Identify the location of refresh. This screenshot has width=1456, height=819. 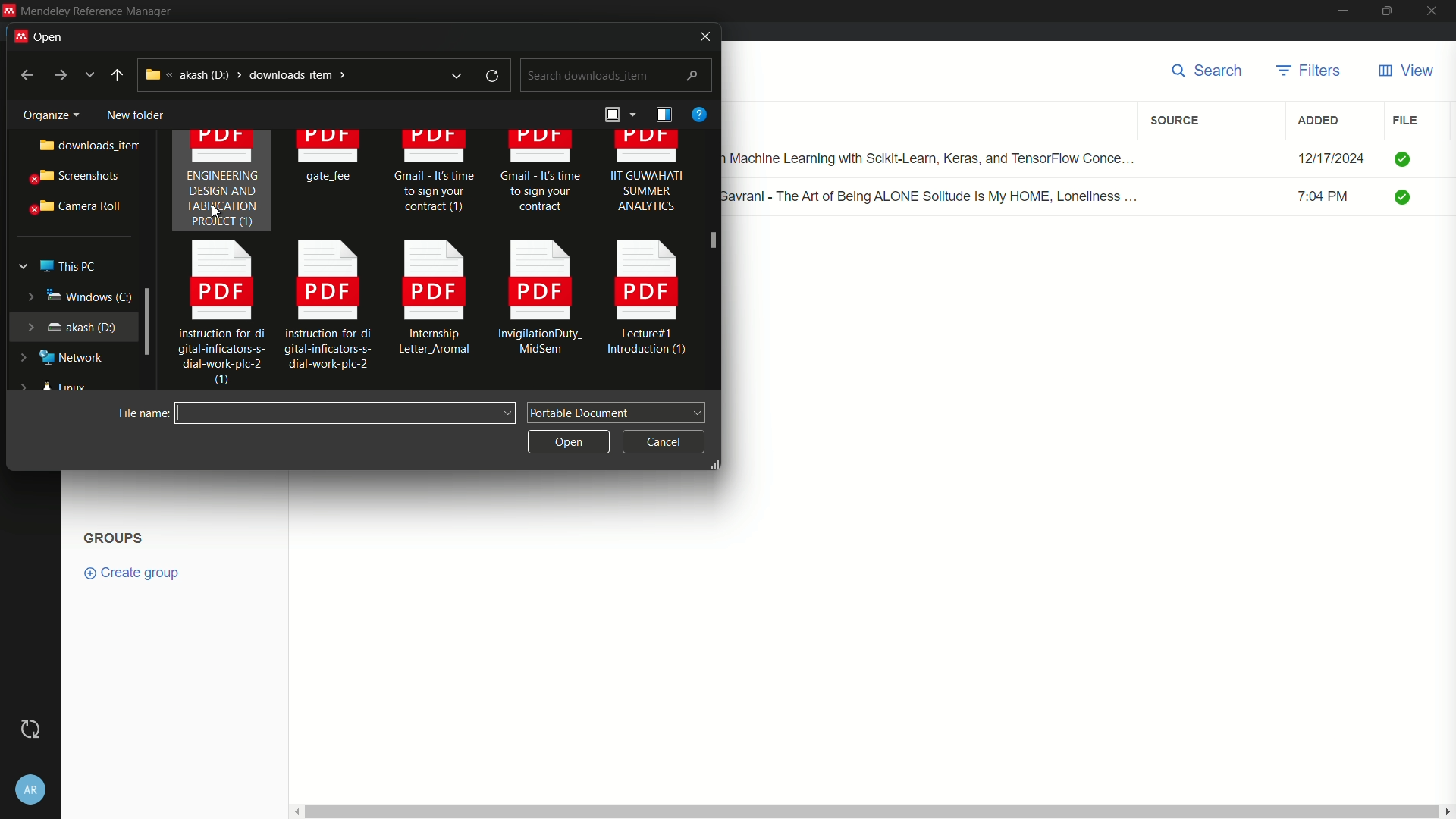
(494, 76).